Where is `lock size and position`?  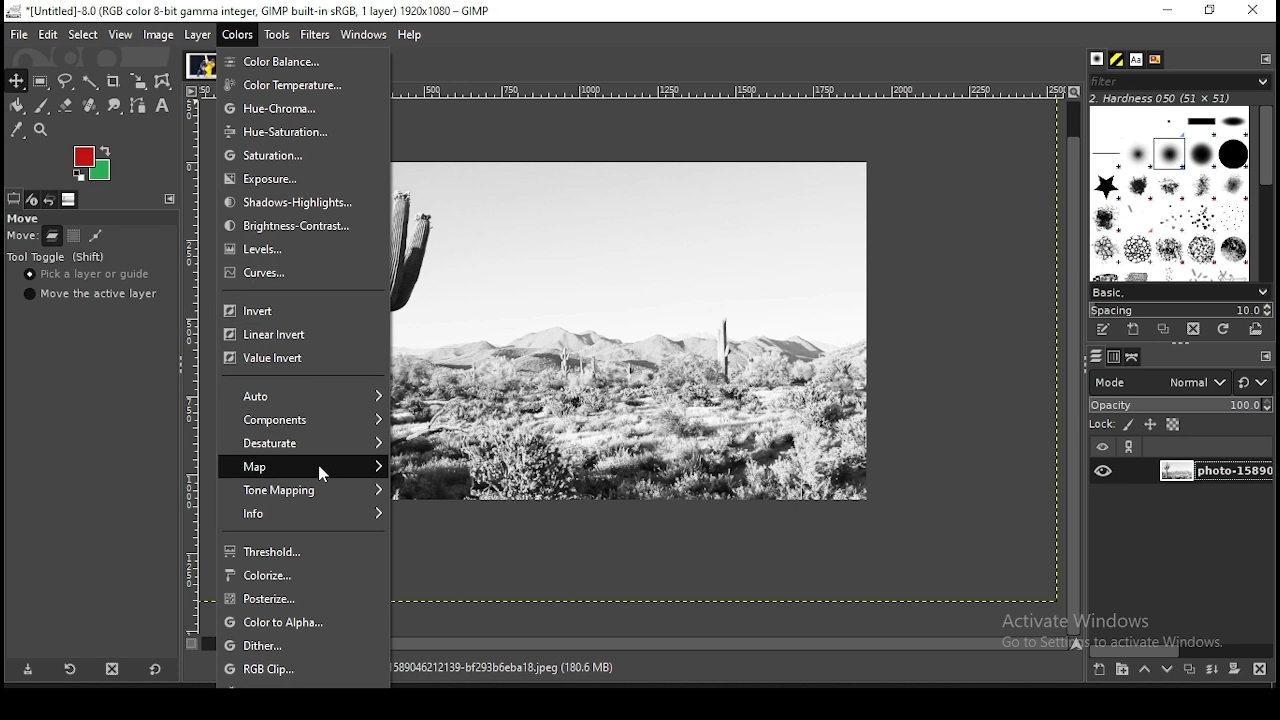
lock size and position is located at coordinates (1150, 424).